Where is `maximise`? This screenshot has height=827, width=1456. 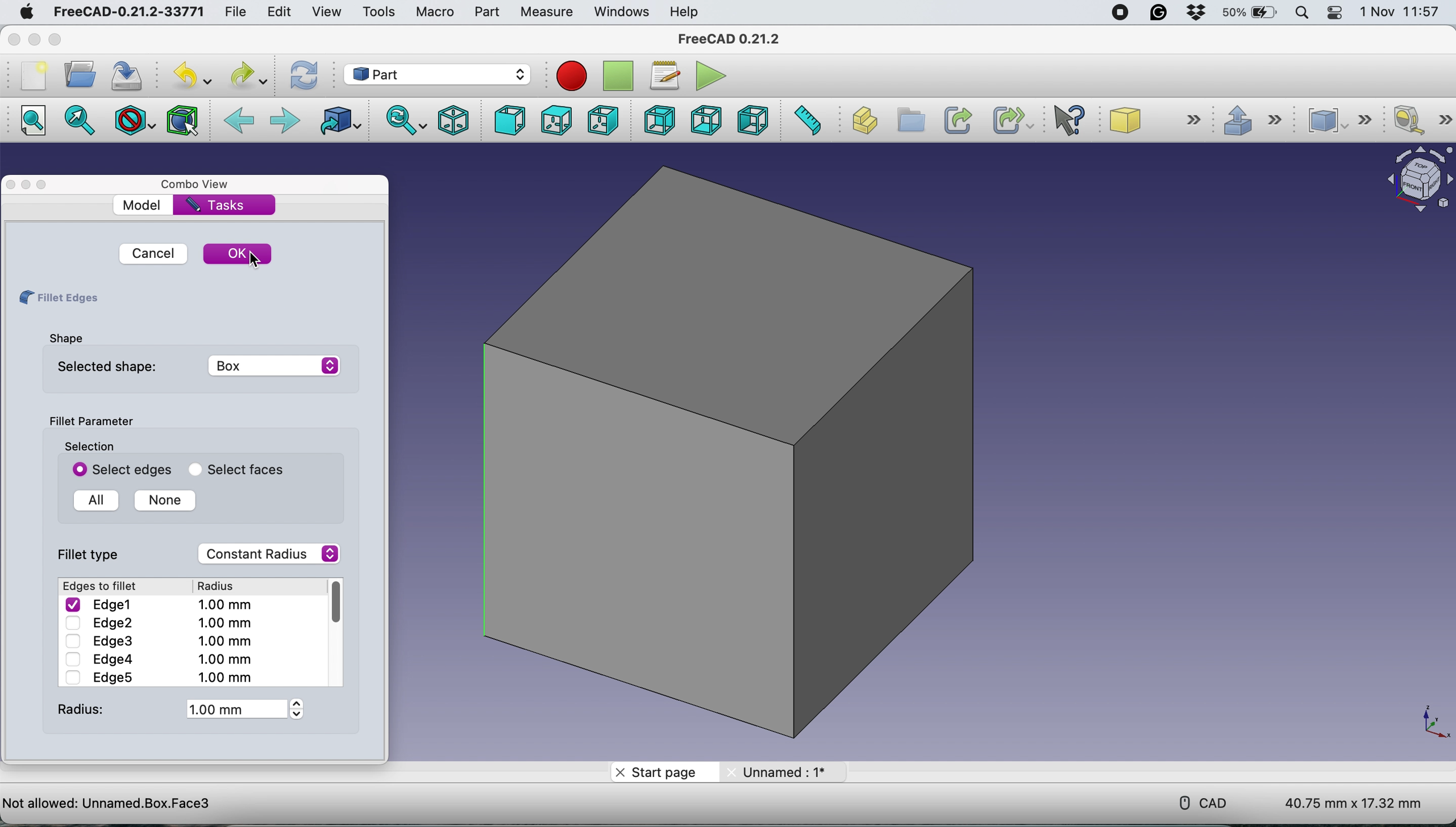 maximise is located at coordinates (55, 39).